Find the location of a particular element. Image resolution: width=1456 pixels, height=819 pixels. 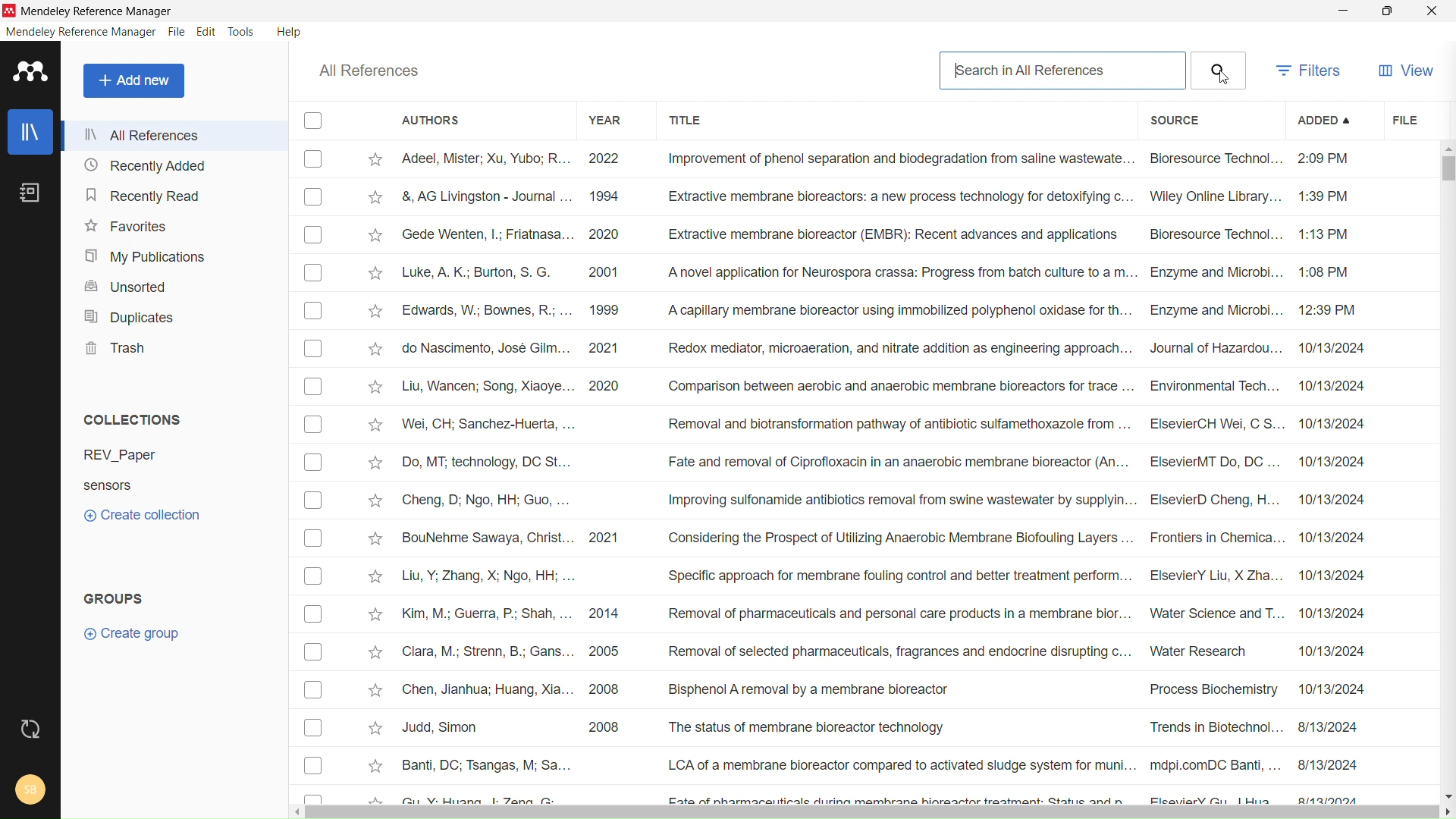

view is located at coordinates (1407, 68).